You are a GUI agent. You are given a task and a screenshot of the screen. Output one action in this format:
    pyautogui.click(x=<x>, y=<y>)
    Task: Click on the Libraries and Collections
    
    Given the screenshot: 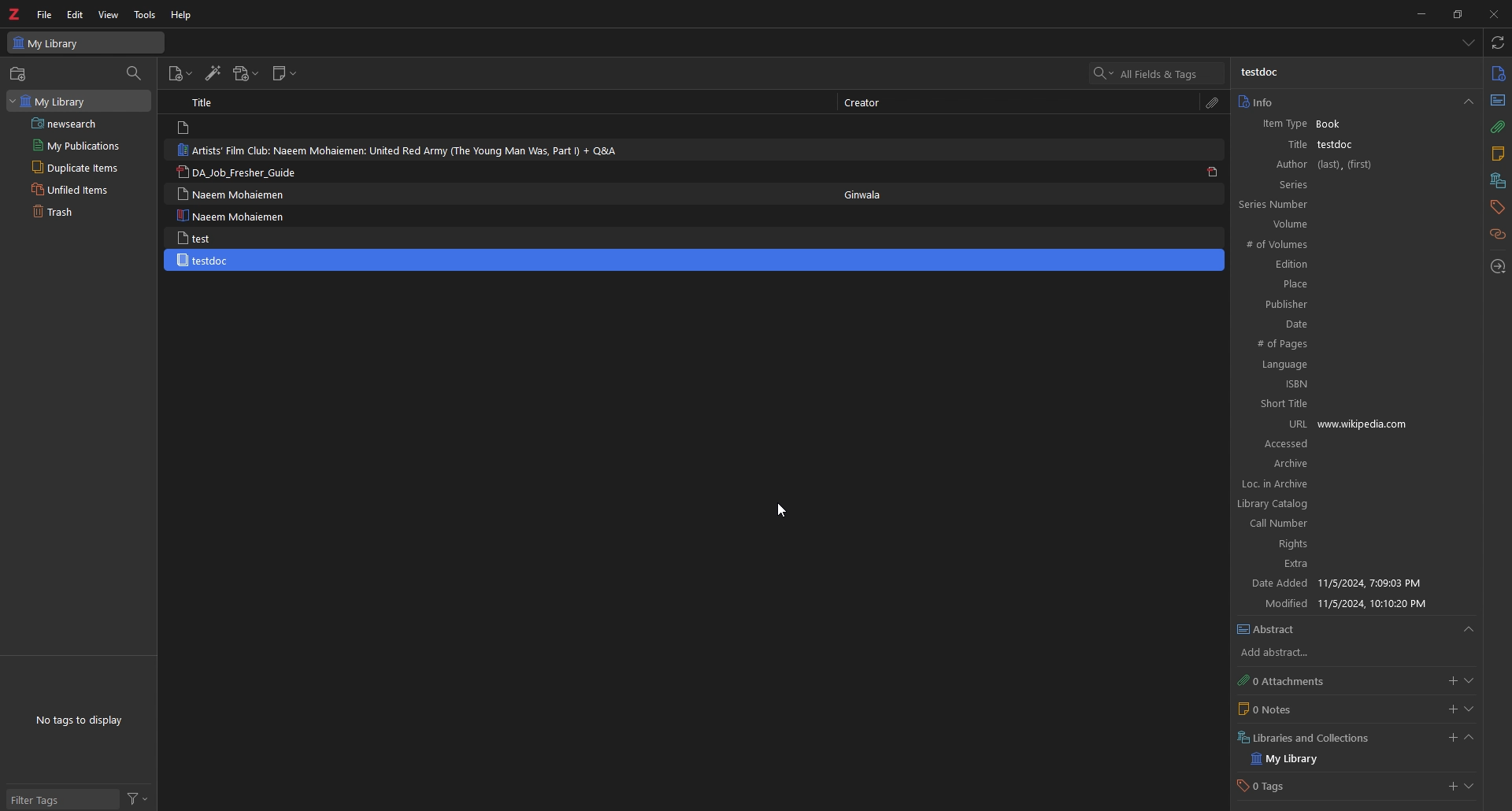 What is the action you would take?
    pyautogui.click(x=1310, y=738)
    